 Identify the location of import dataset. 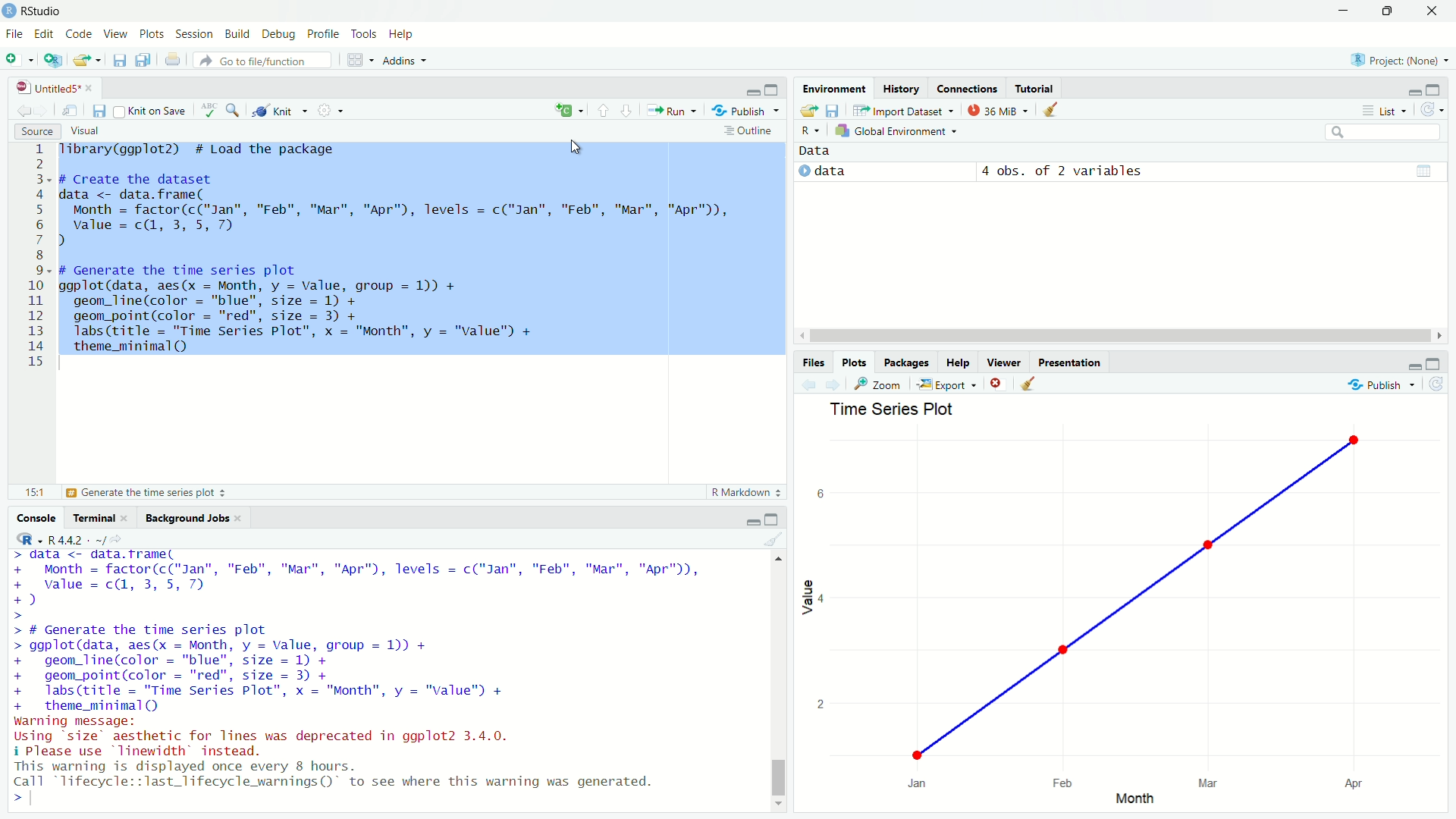
(903, 110).